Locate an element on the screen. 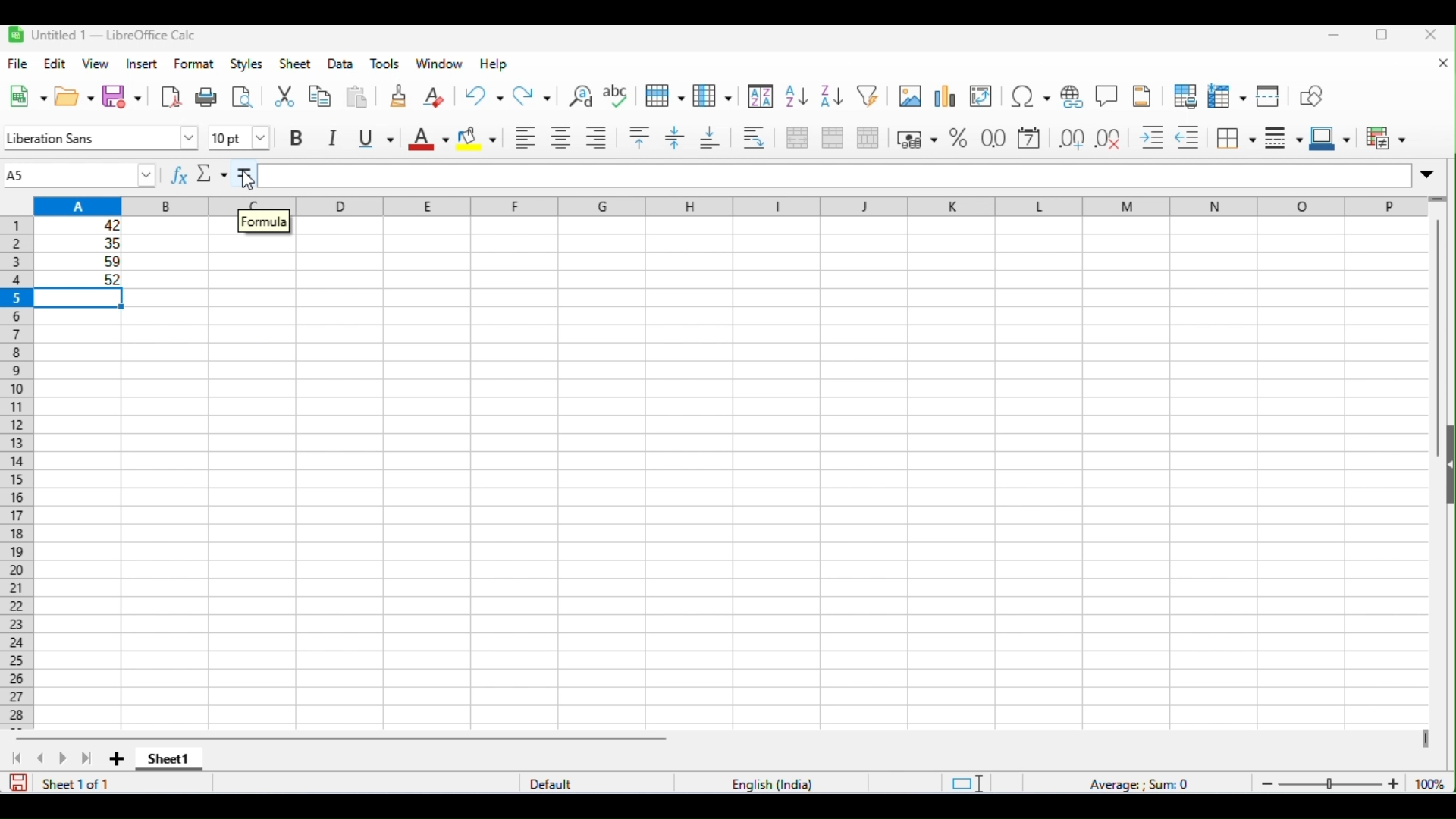 The image size is (1456, 819). column is located at coordinates (711, 96).